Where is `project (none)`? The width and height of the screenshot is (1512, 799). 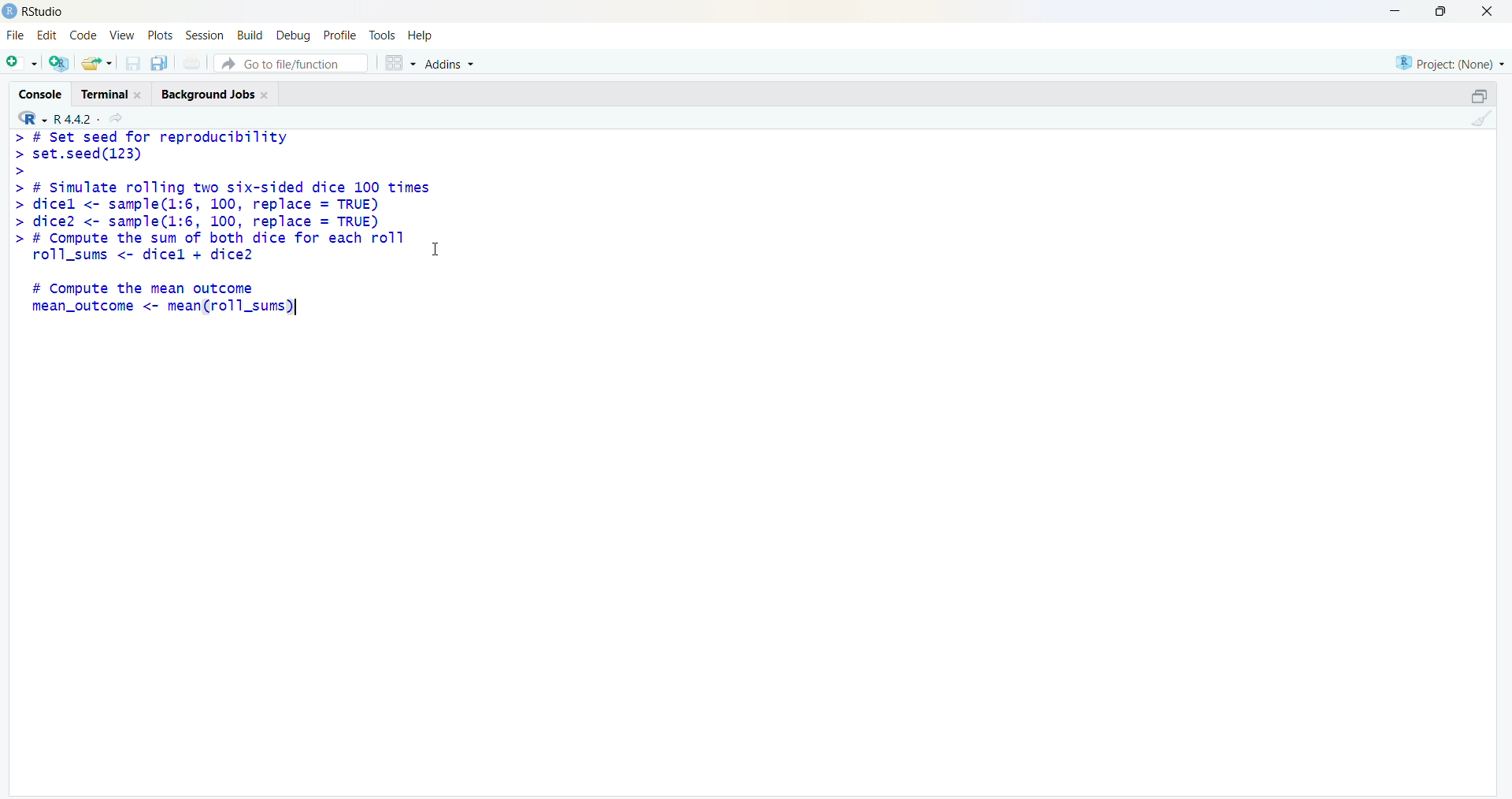
project (none) is located at coordinates (1450, 65).